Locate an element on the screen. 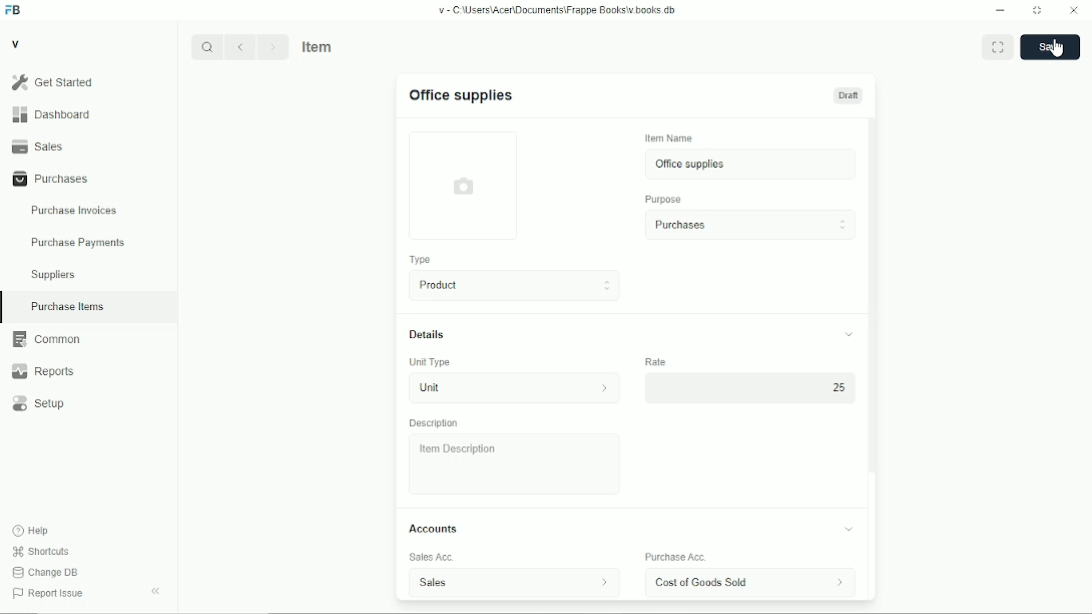  details is located at coordinates (427, 334).